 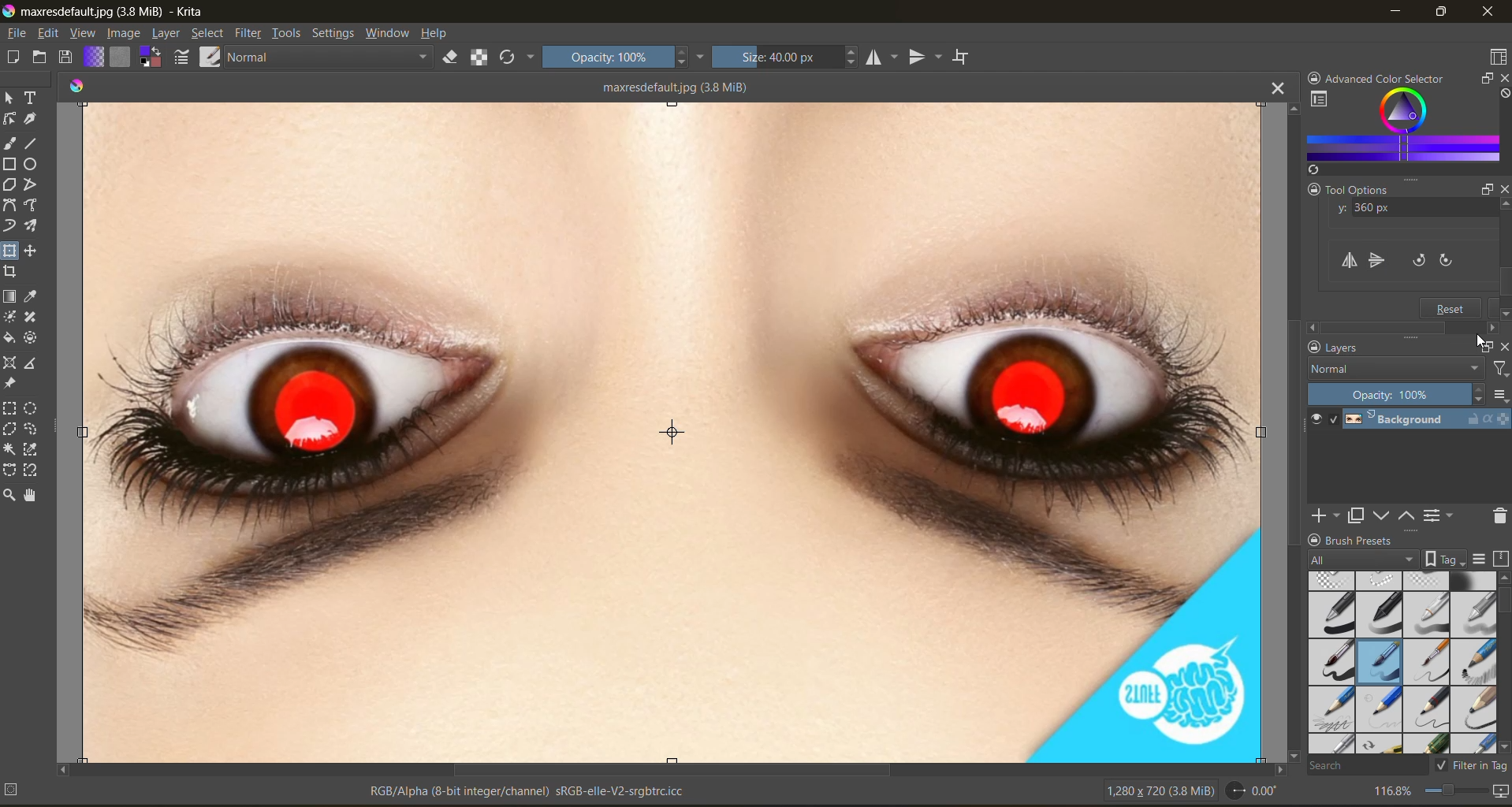 I want to click on help, so click(x=438, y=33).